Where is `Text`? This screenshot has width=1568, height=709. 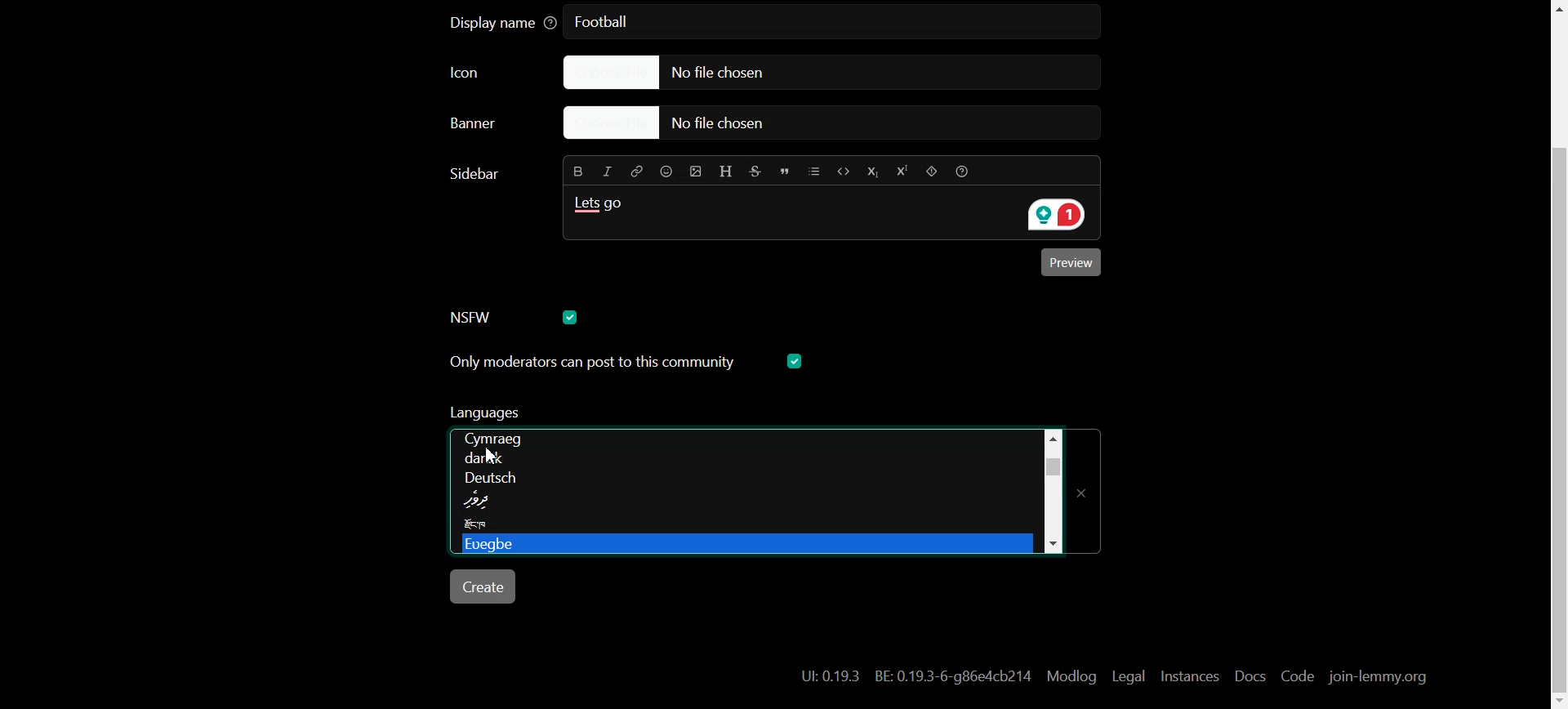
Text is located at coordinates (916, 676).